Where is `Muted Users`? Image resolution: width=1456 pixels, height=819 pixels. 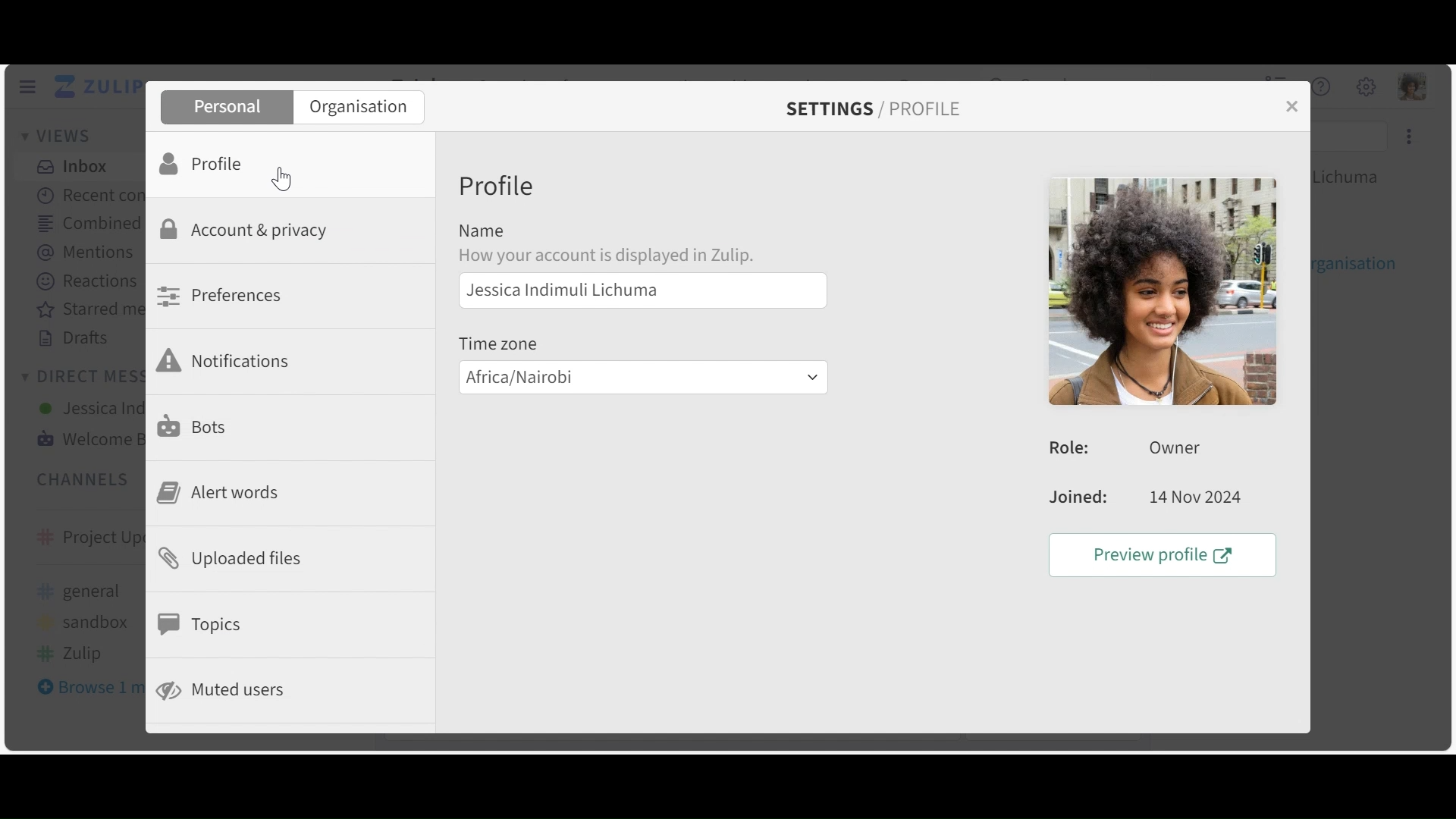
Muted Users is located at coordinates (229, 690).